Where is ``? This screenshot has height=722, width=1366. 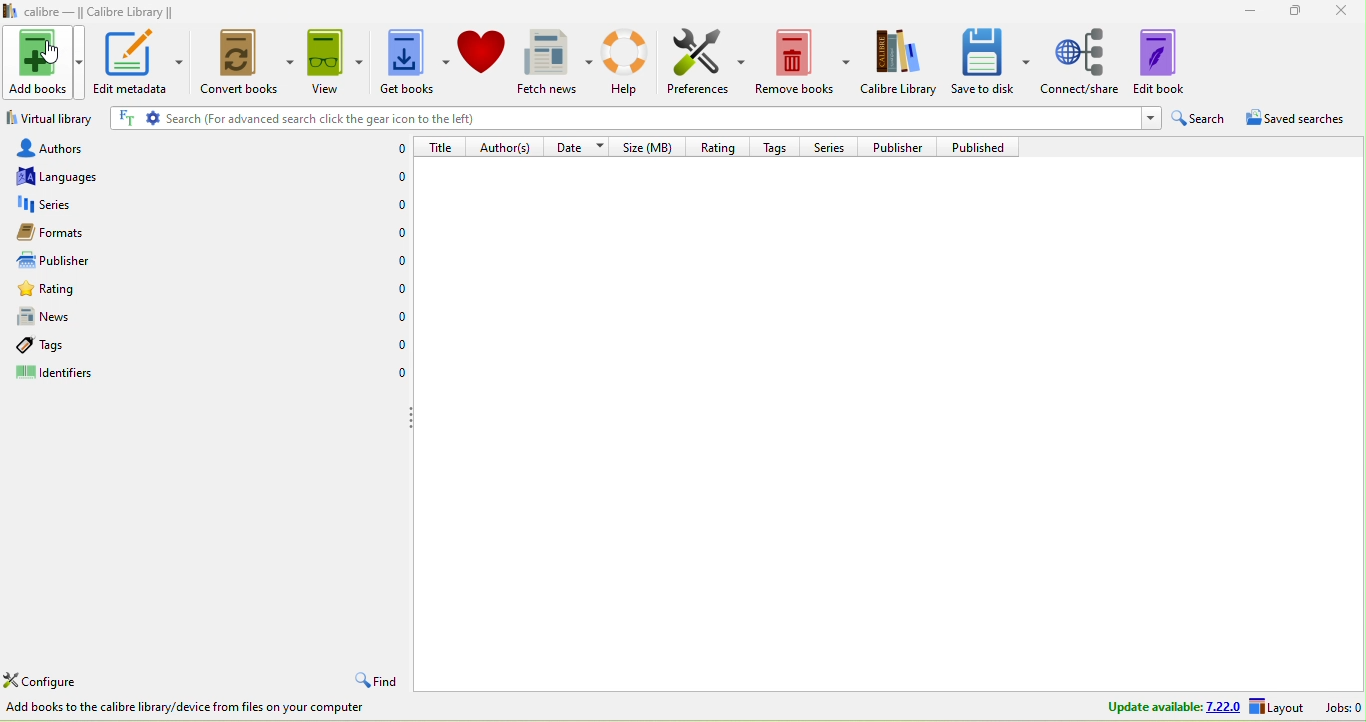
 is located at coordinates (398, 288).